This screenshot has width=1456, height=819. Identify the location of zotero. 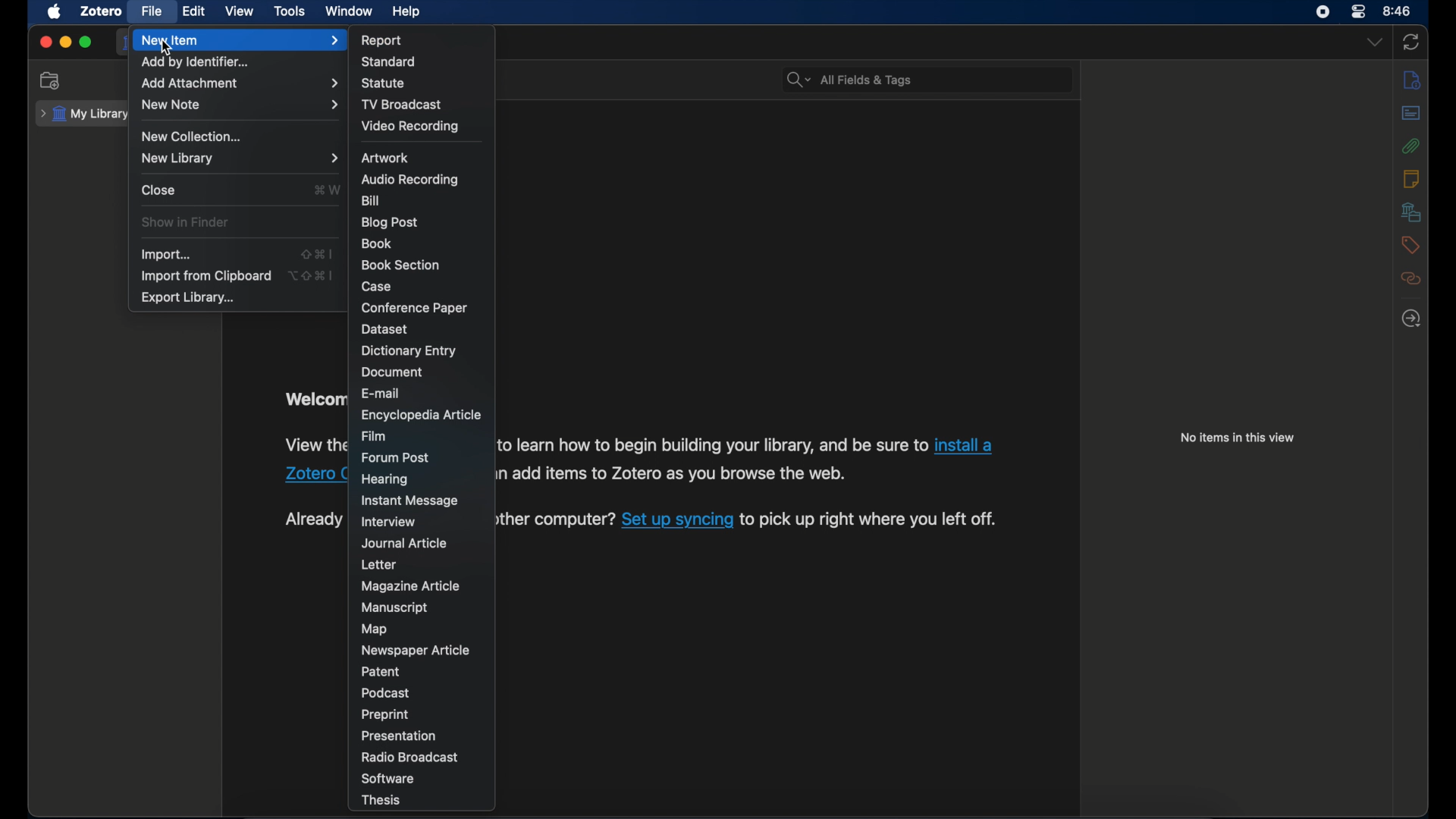
(102, 11).